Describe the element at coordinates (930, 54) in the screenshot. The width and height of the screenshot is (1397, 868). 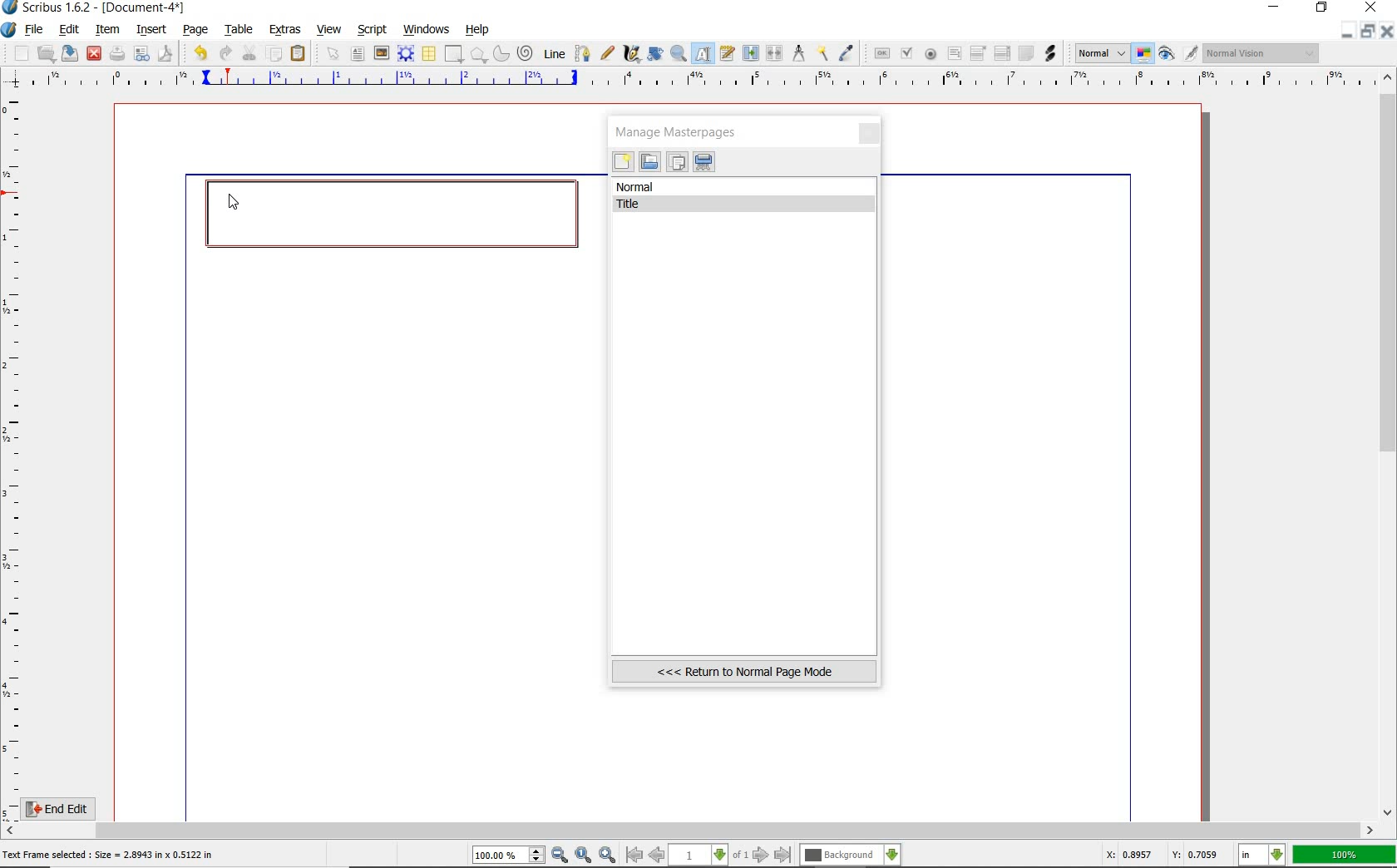
I see `pdf radio button` at that location.